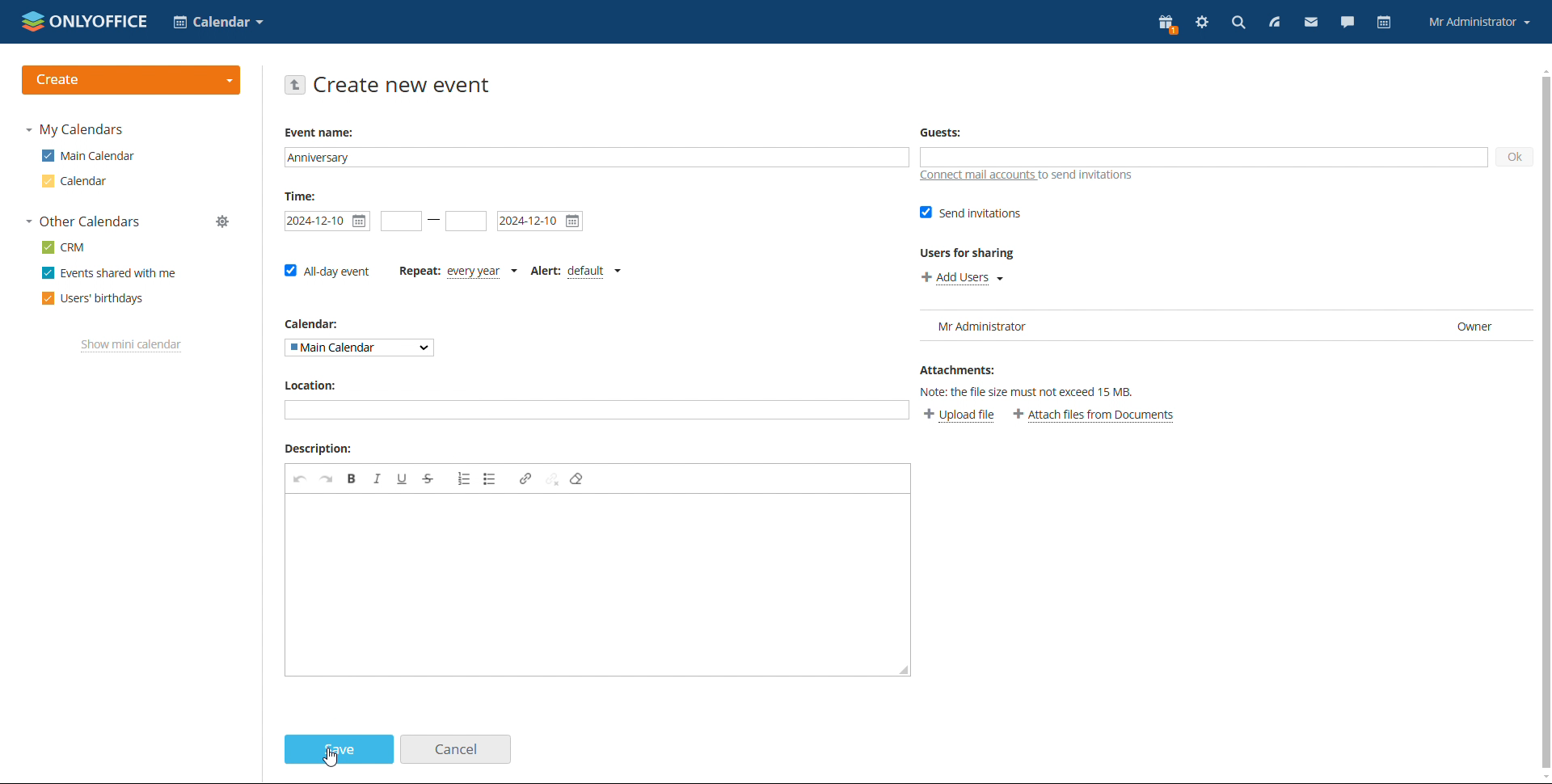 This screenshot has width=1552, height=784. I want to click on redo, so click(327, 478).